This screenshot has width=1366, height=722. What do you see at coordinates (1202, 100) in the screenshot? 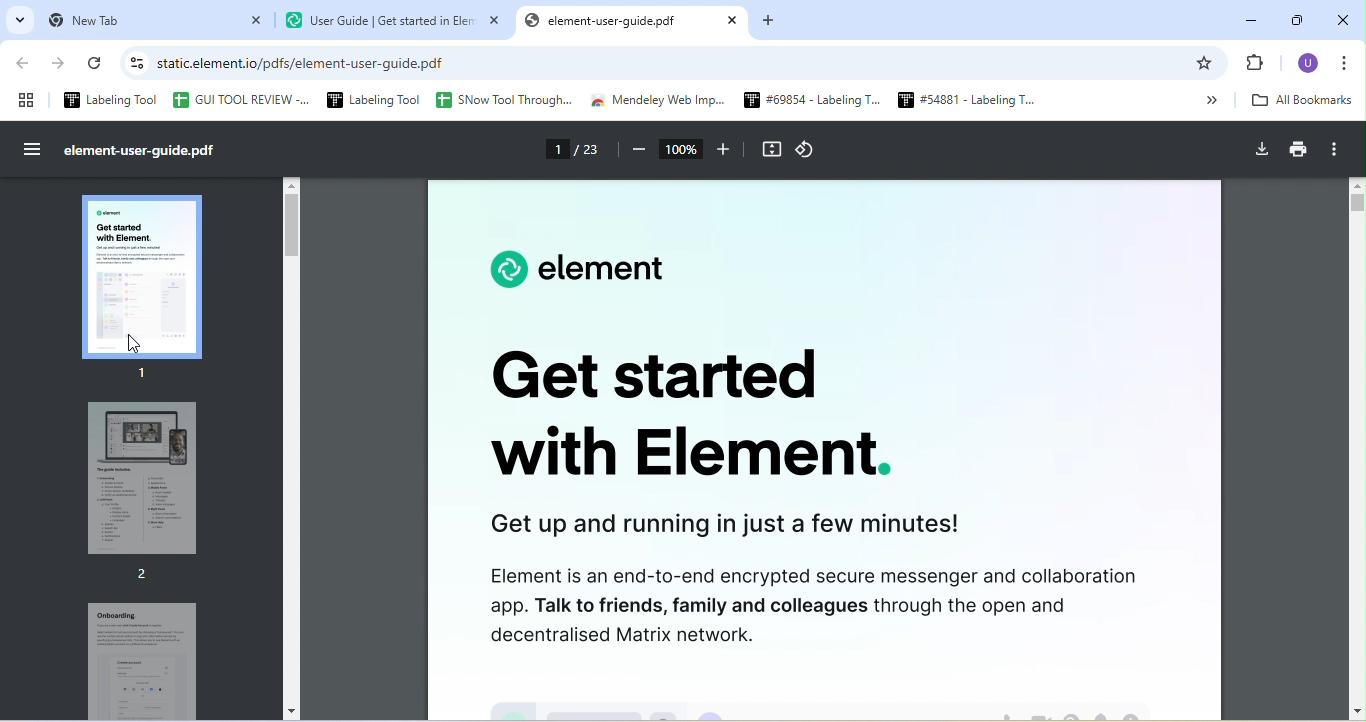
I see `More ` at bounding box center [1202, 100].